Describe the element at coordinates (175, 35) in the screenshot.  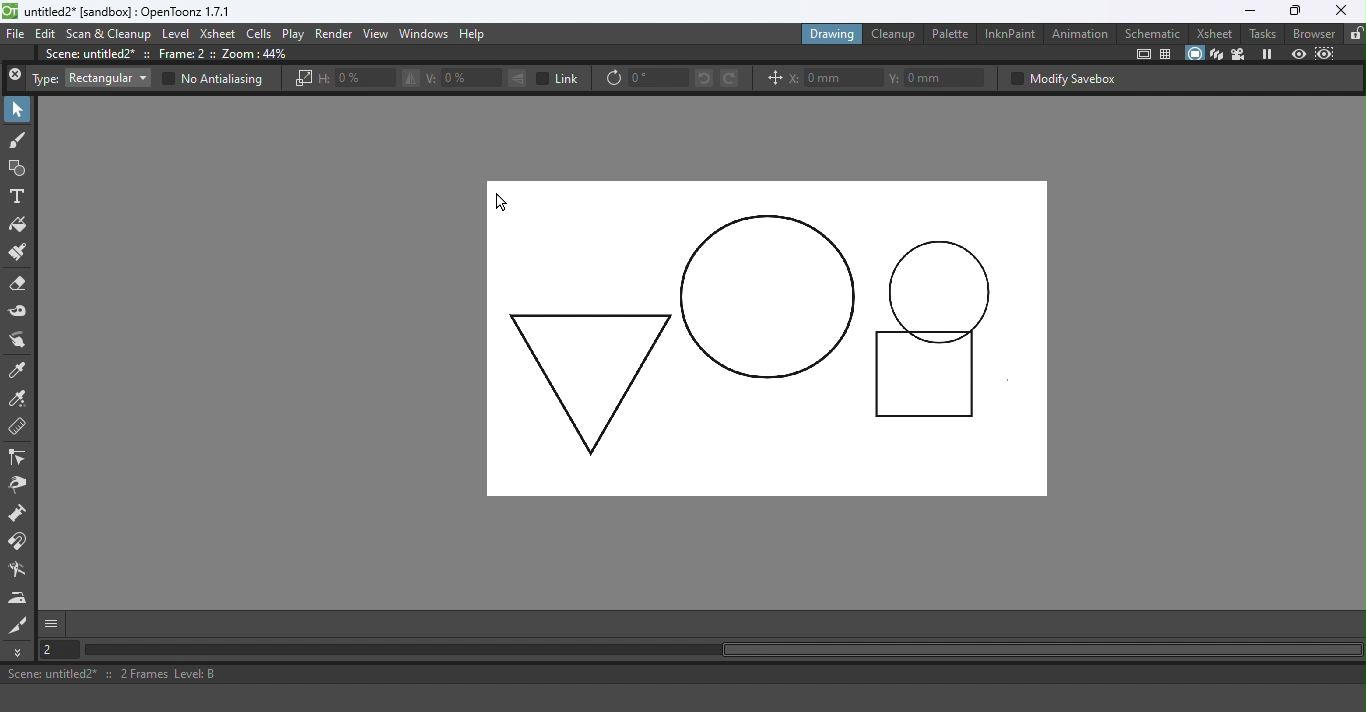
I see `Level` at that location.